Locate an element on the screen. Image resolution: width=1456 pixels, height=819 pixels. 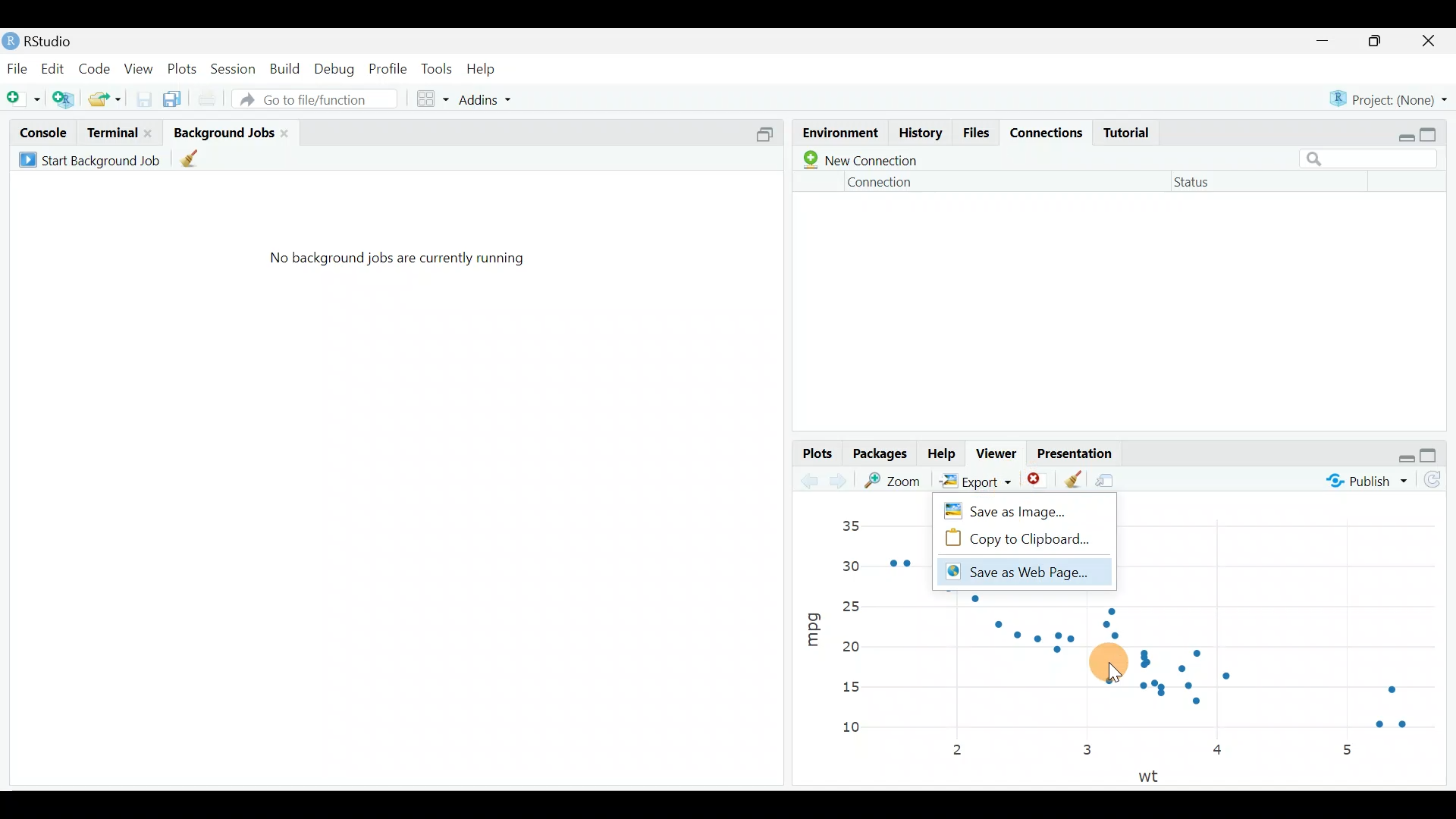
mpg is located at coordinates (813, 623).